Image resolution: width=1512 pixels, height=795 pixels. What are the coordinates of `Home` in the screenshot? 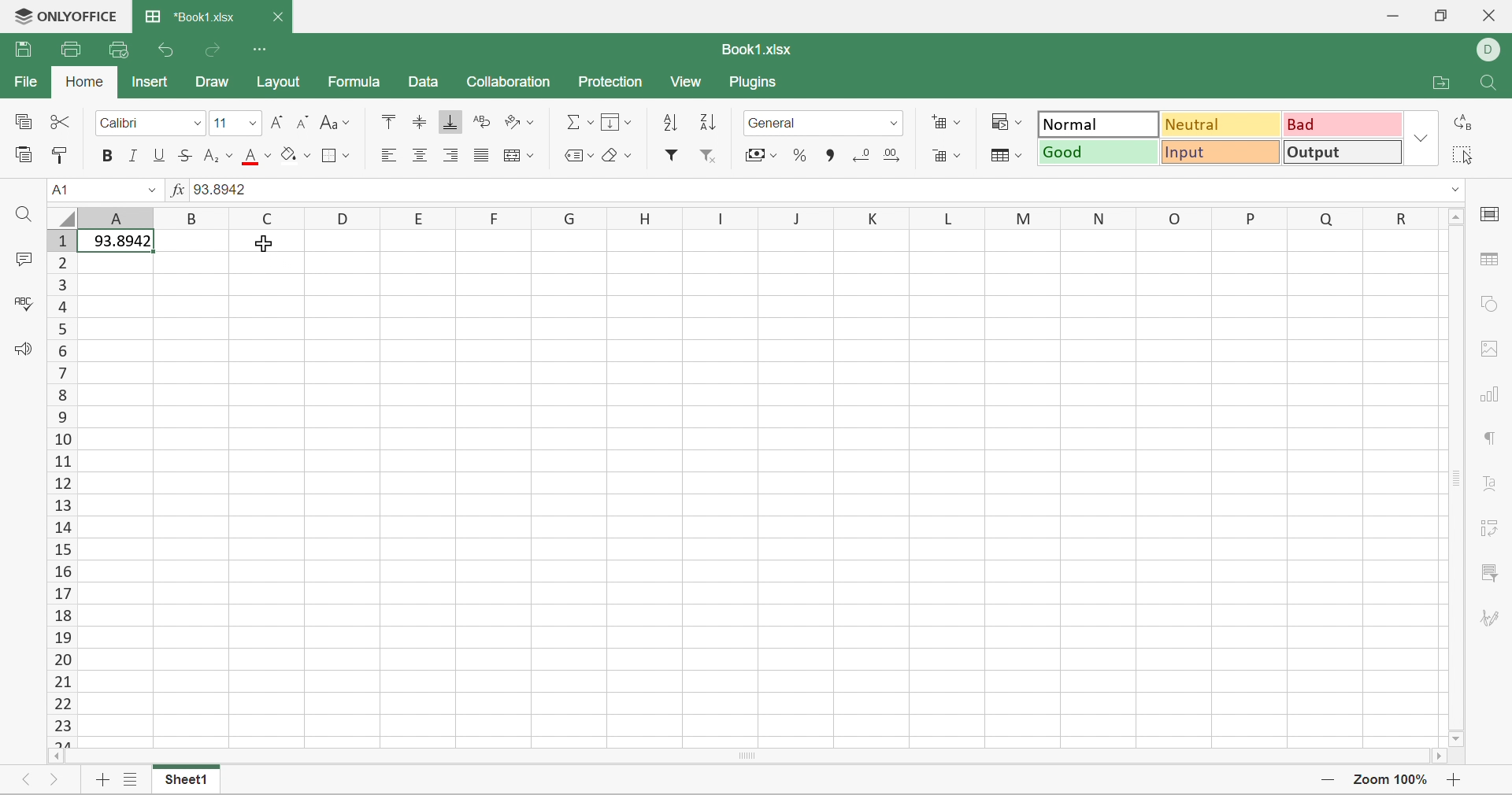 It's located at (84, 81).